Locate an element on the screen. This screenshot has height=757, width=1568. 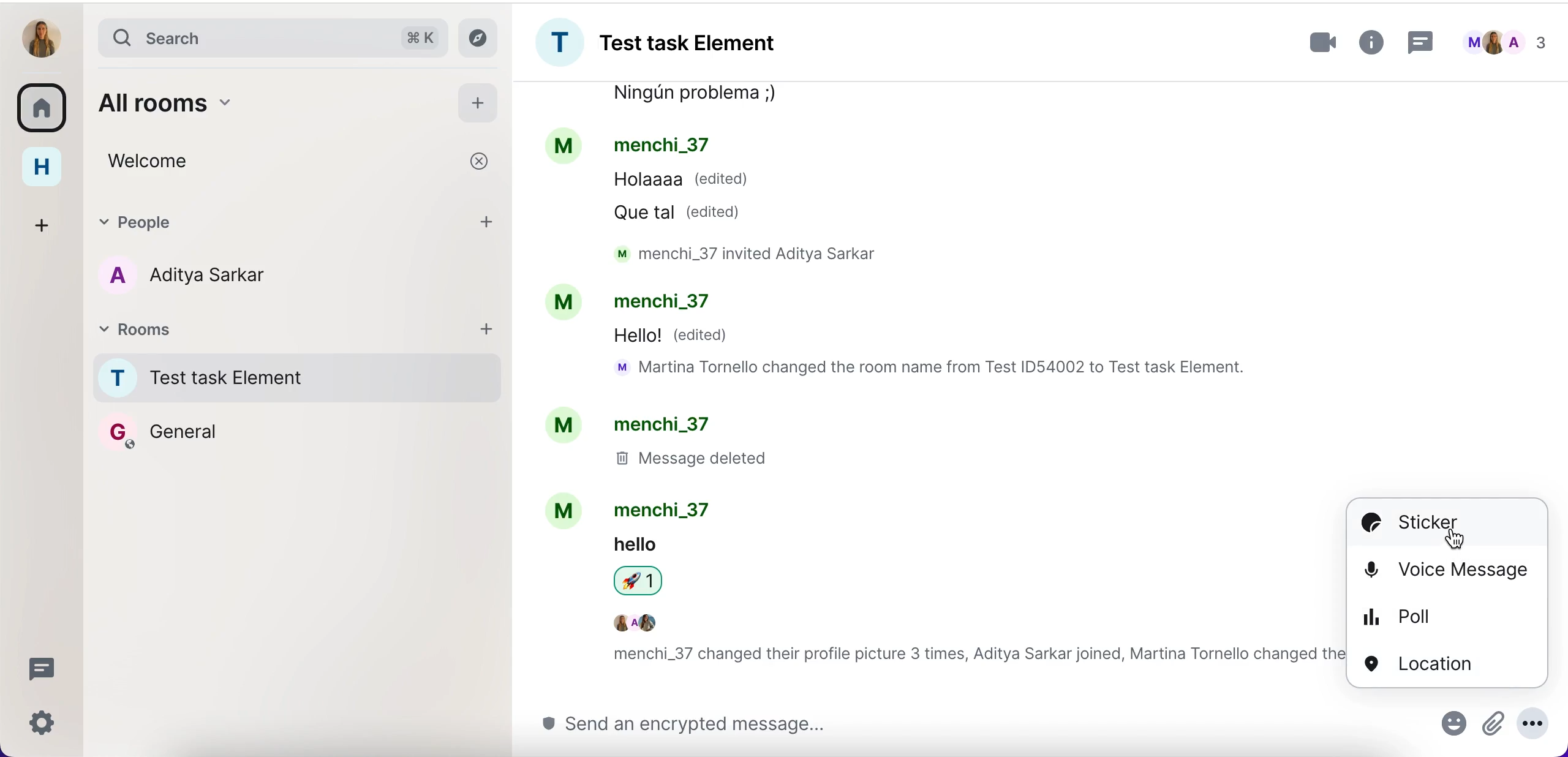
cursor is located at coordinates (1456, 538).